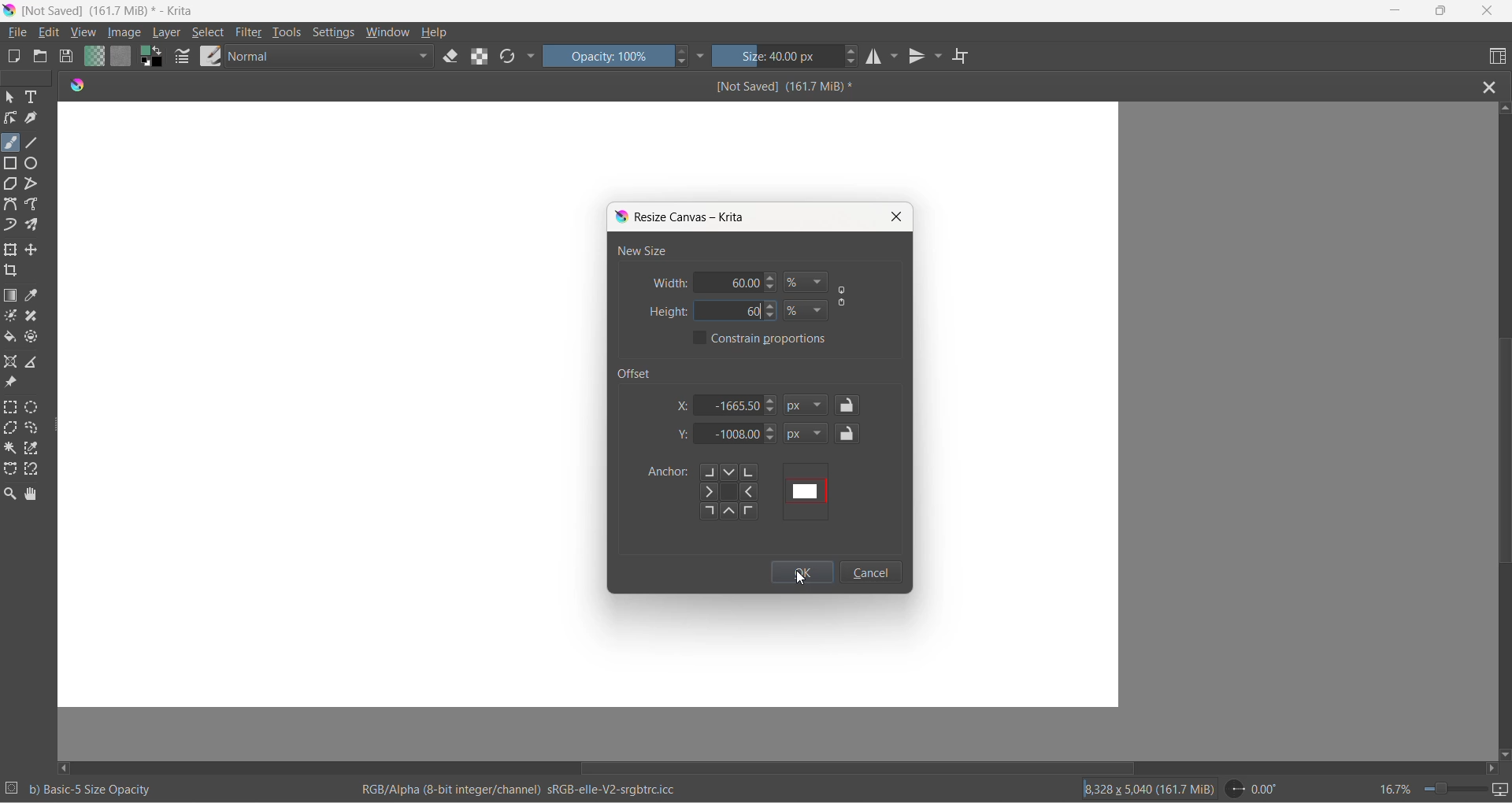  I want to click on freehand selection tool, so click(35, 429).